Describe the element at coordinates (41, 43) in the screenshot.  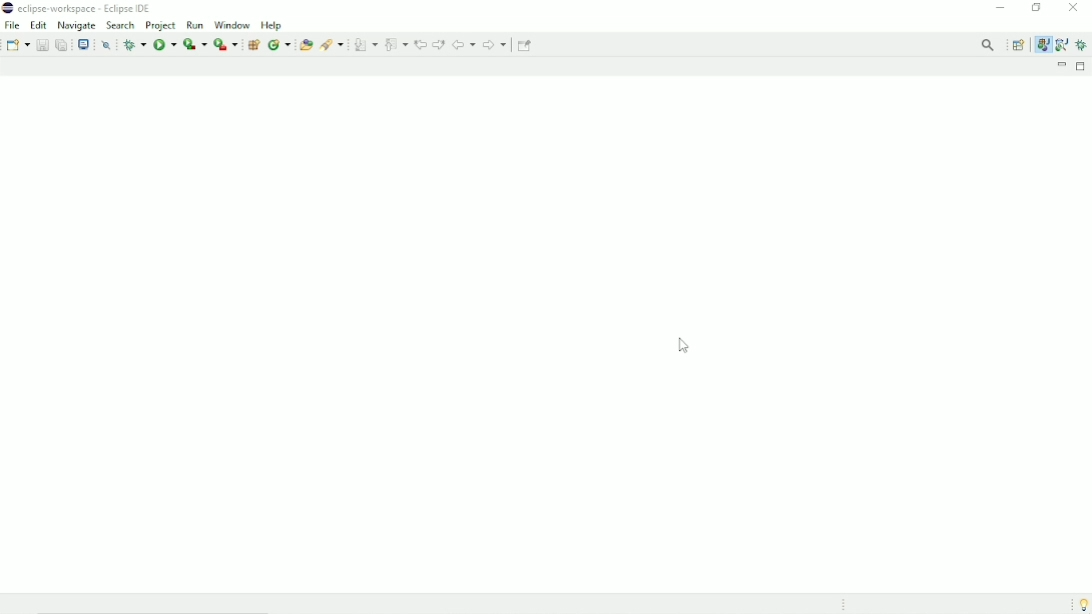
I see `Save` at that location.